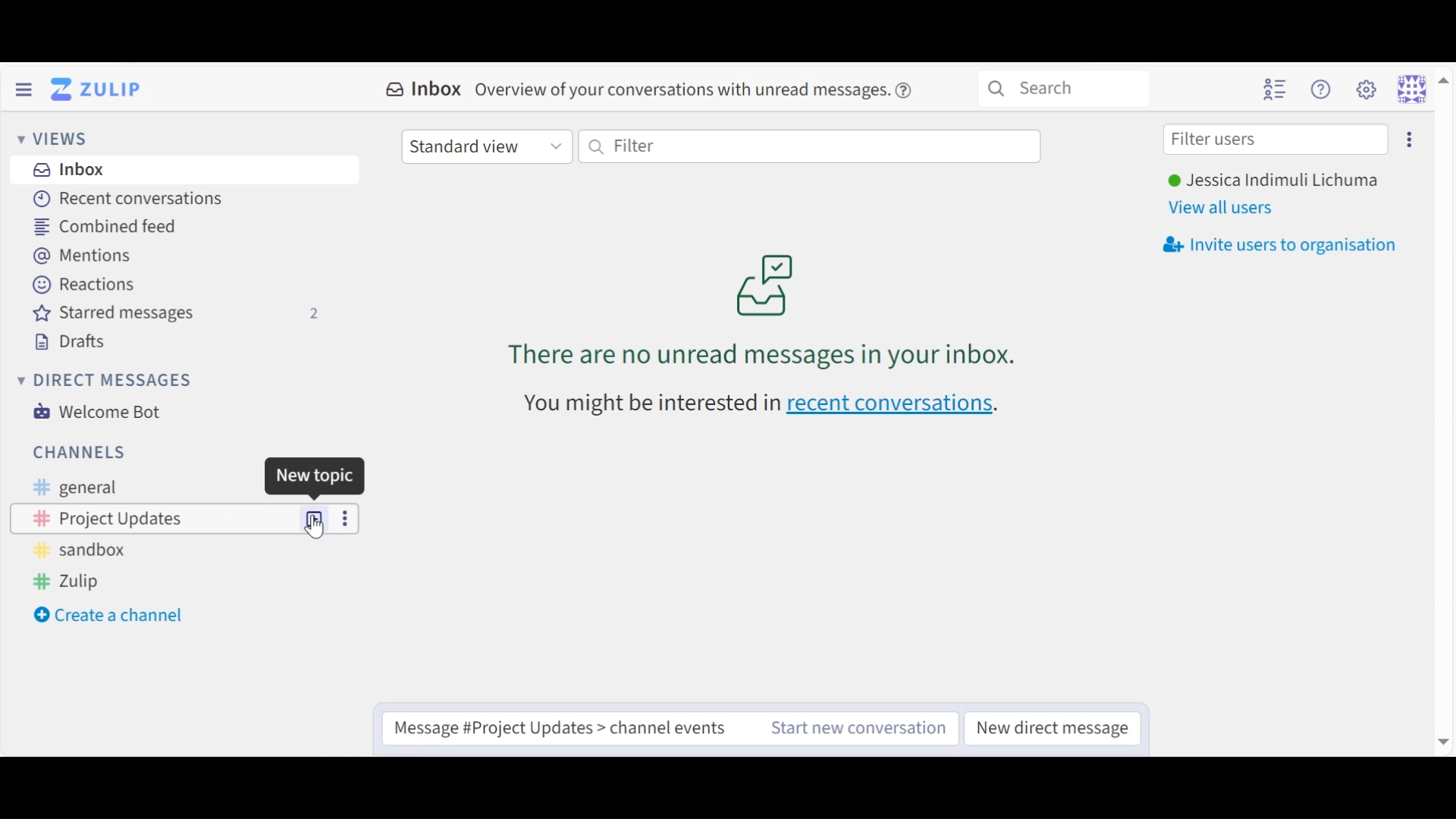 The image size is (1456, 819). I want to click on Username, so click(1272, 181).